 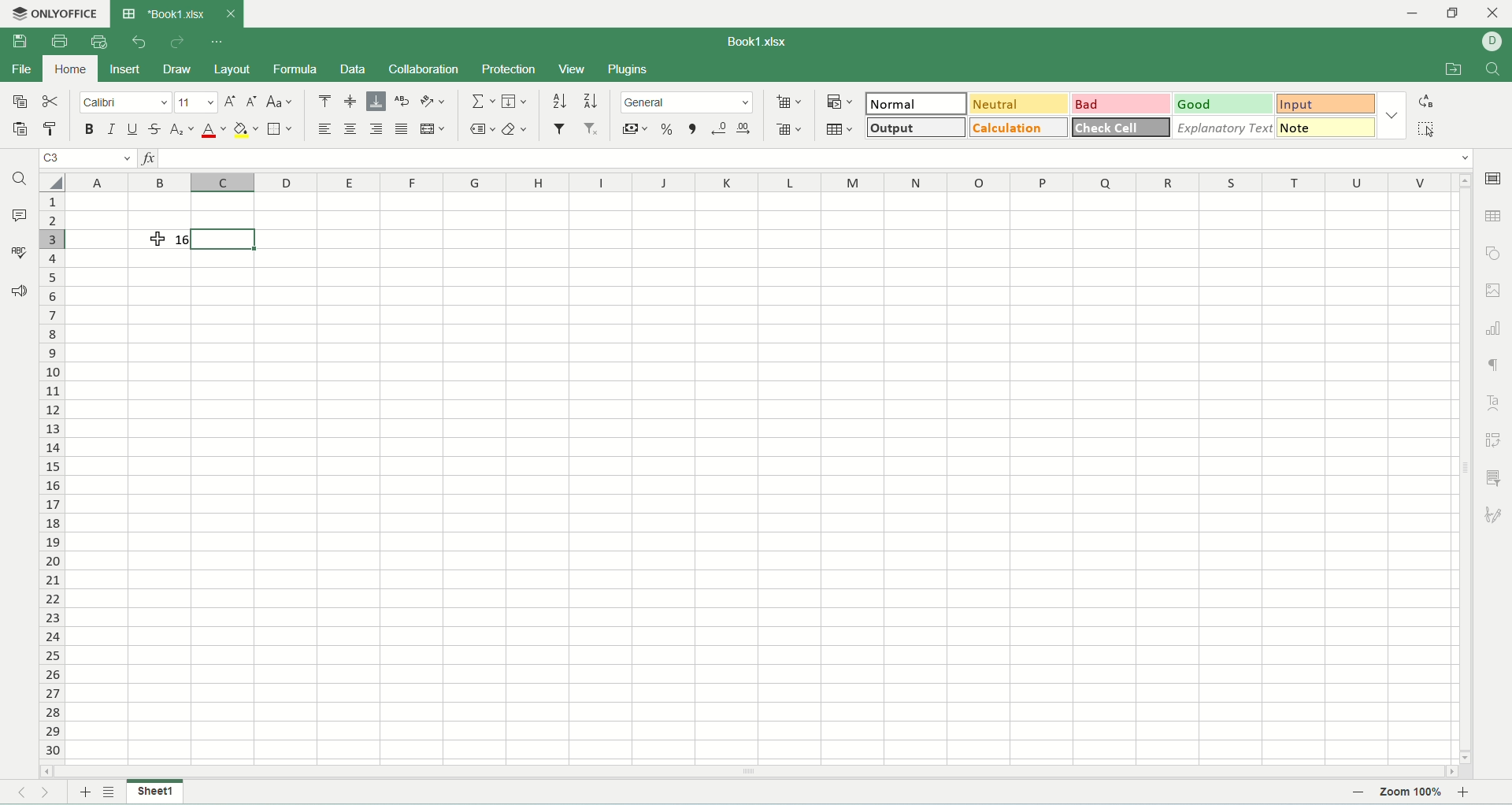 I want to click on comma style, so click(x=695, y=129).